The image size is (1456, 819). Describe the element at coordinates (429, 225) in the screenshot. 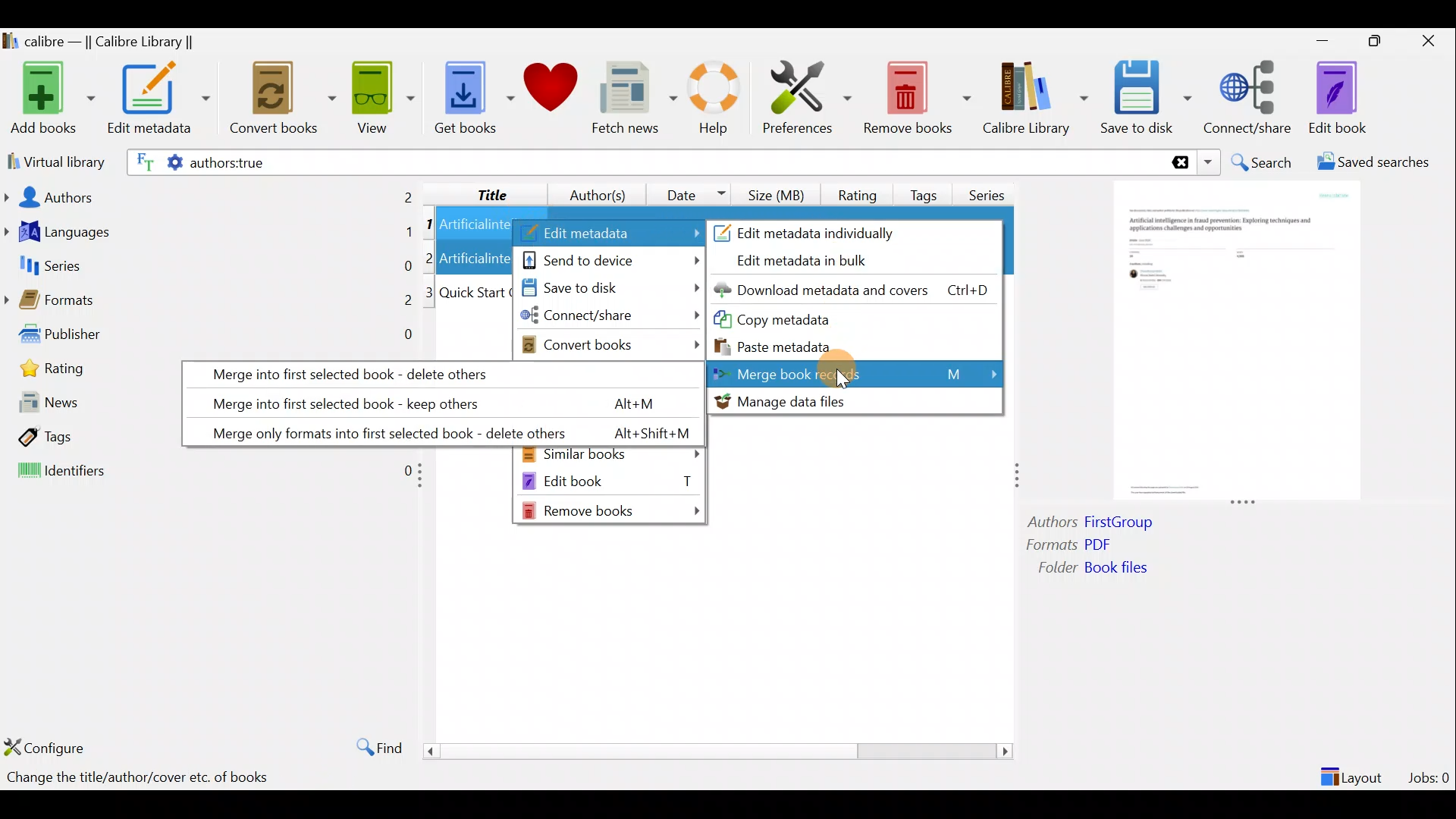

I see `1` at that location.